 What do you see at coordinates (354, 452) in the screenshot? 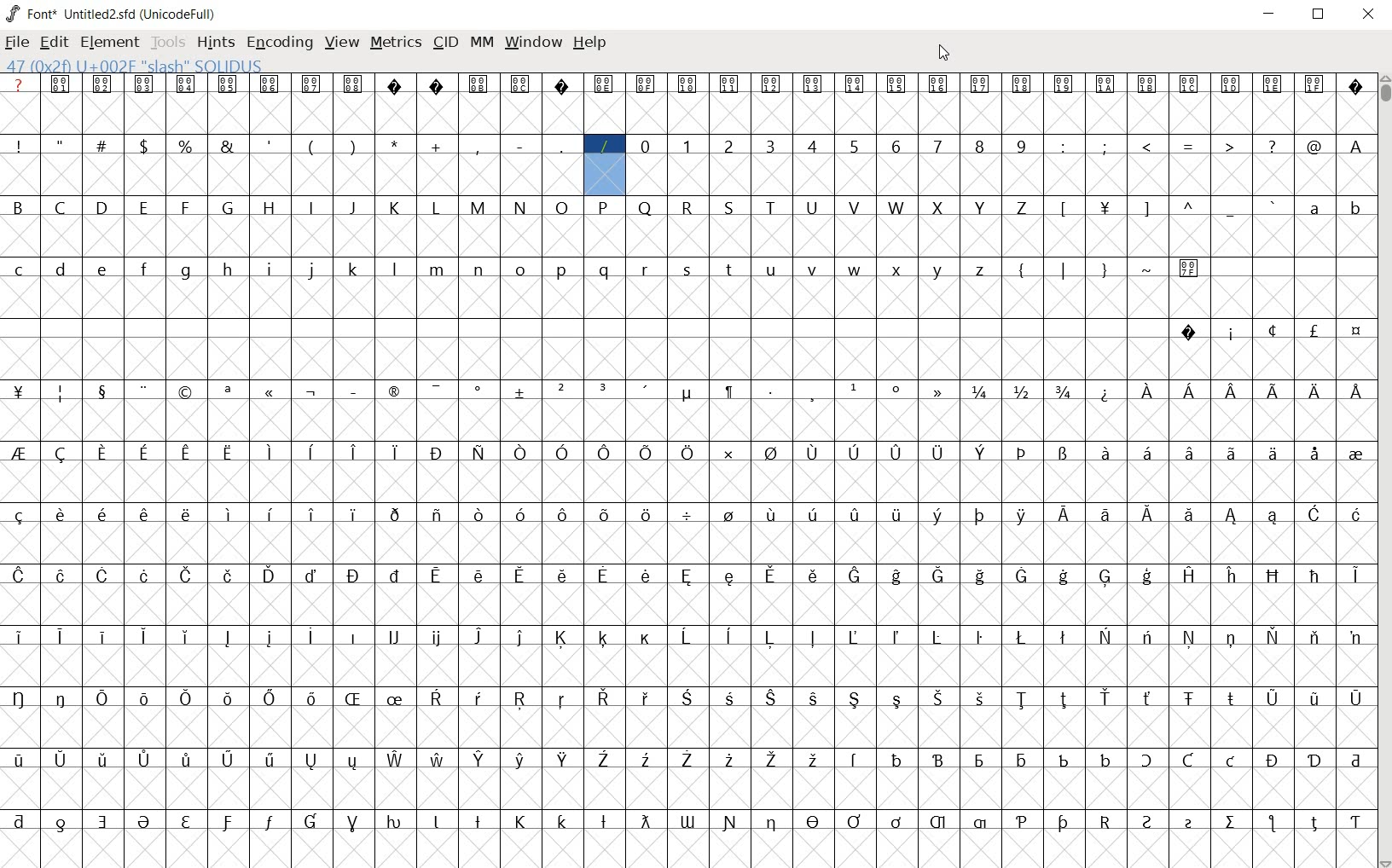
I see `glyph` at bounding box center [354, 452].